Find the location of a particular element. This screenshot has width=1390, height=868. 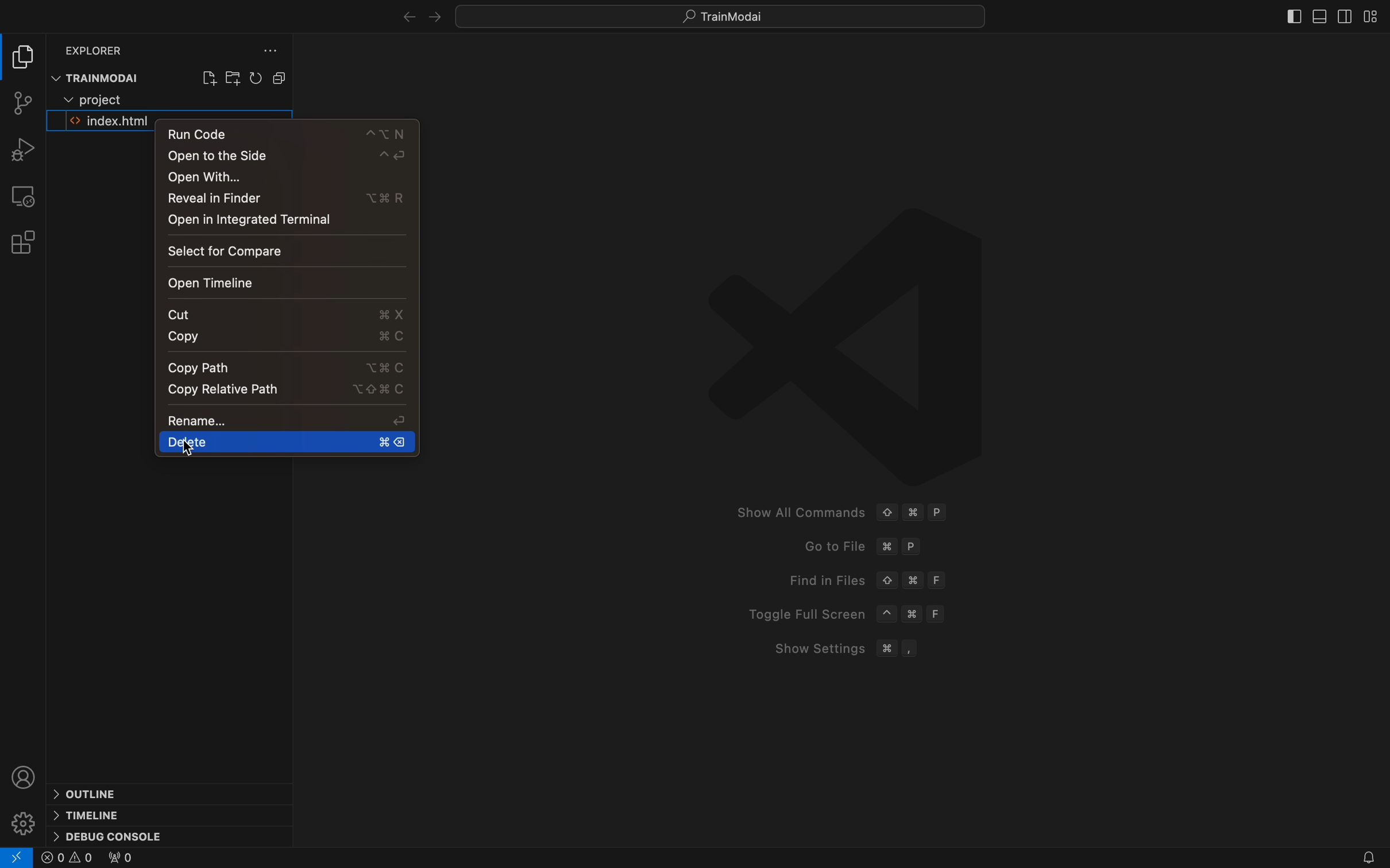

timeline is located at coordinates (96, 813).